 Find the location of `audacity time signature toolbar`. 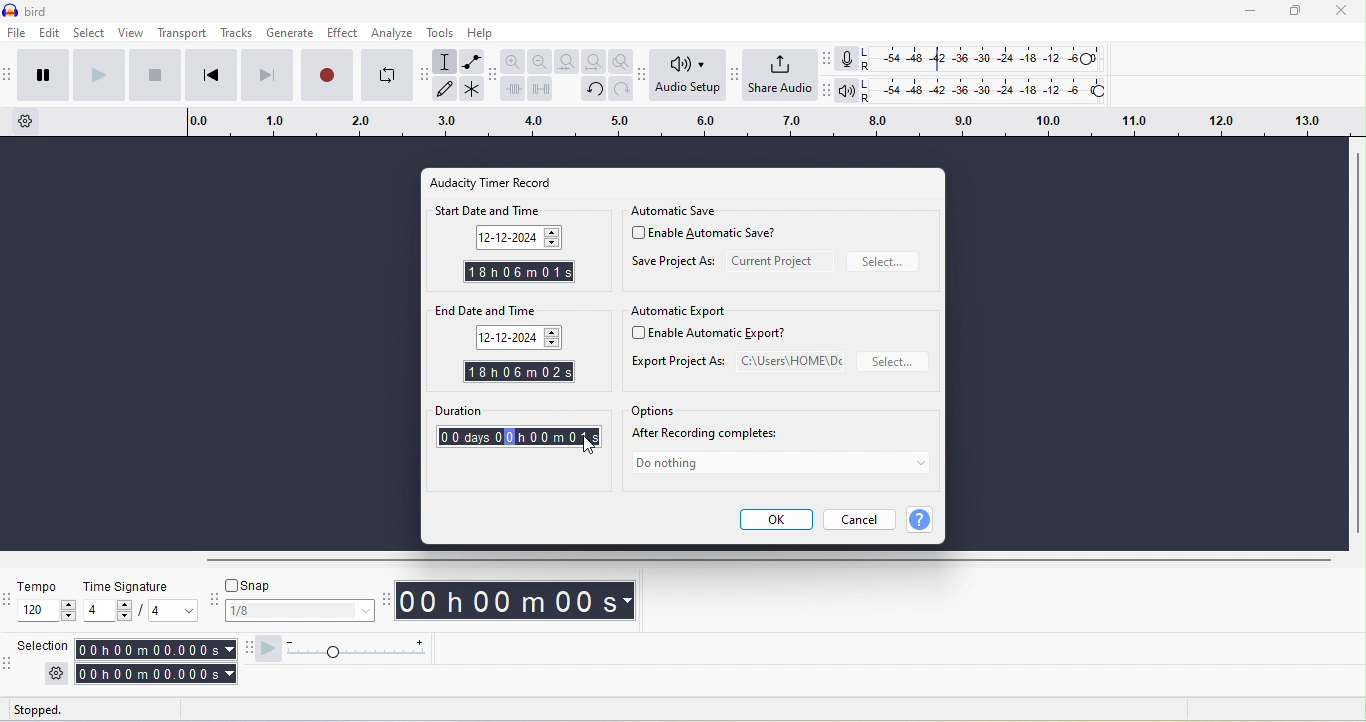

audacity time signature toolbar is located at coordinates (9, 598).